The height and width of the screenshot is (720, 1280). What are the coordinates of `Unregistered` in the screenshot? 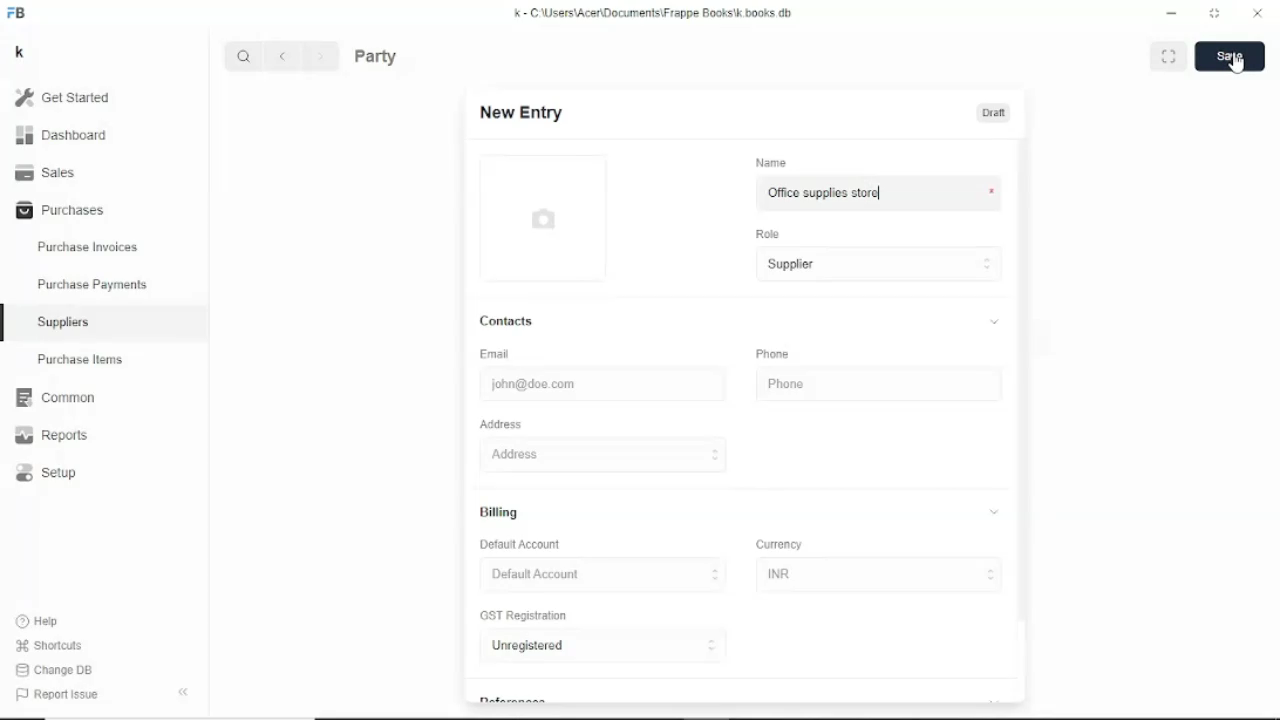 It's located at (604, 647).